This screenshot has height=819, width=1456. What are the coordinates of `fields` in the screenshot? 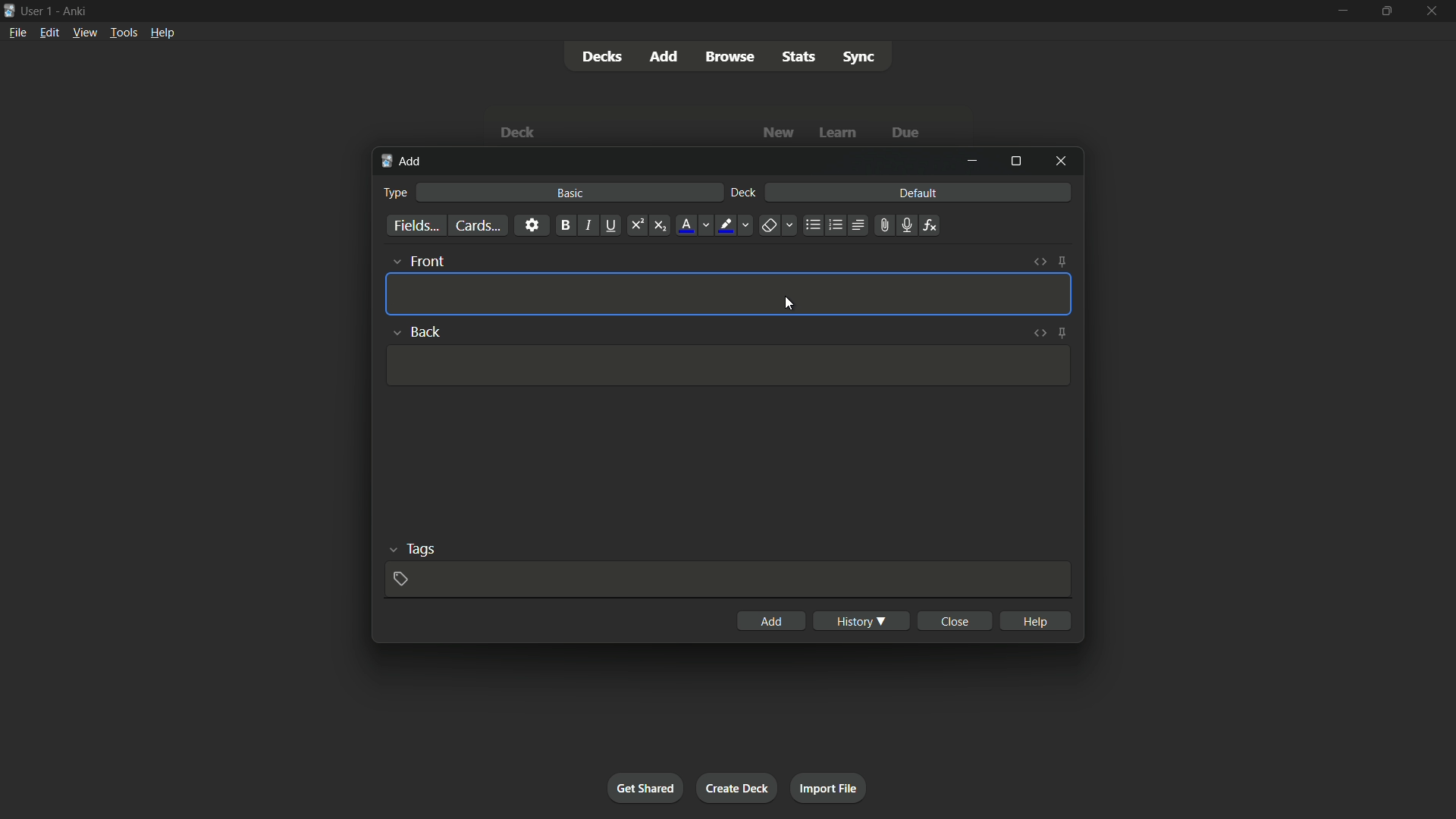 It's located at (416, 227).